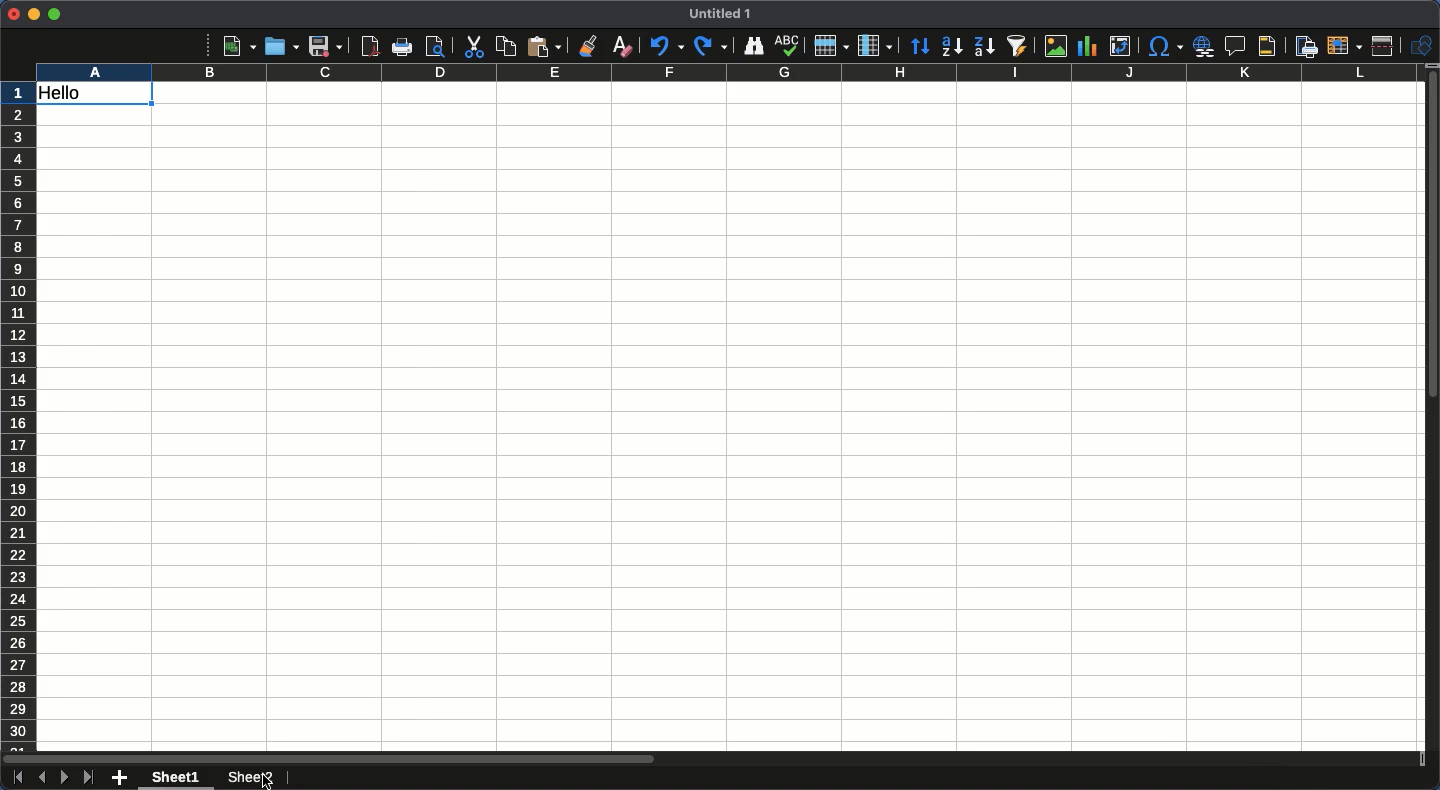 Image resolution: width=1440 pixels, height=790 pixels. I want to click on Next sheet, so click(65, 778).